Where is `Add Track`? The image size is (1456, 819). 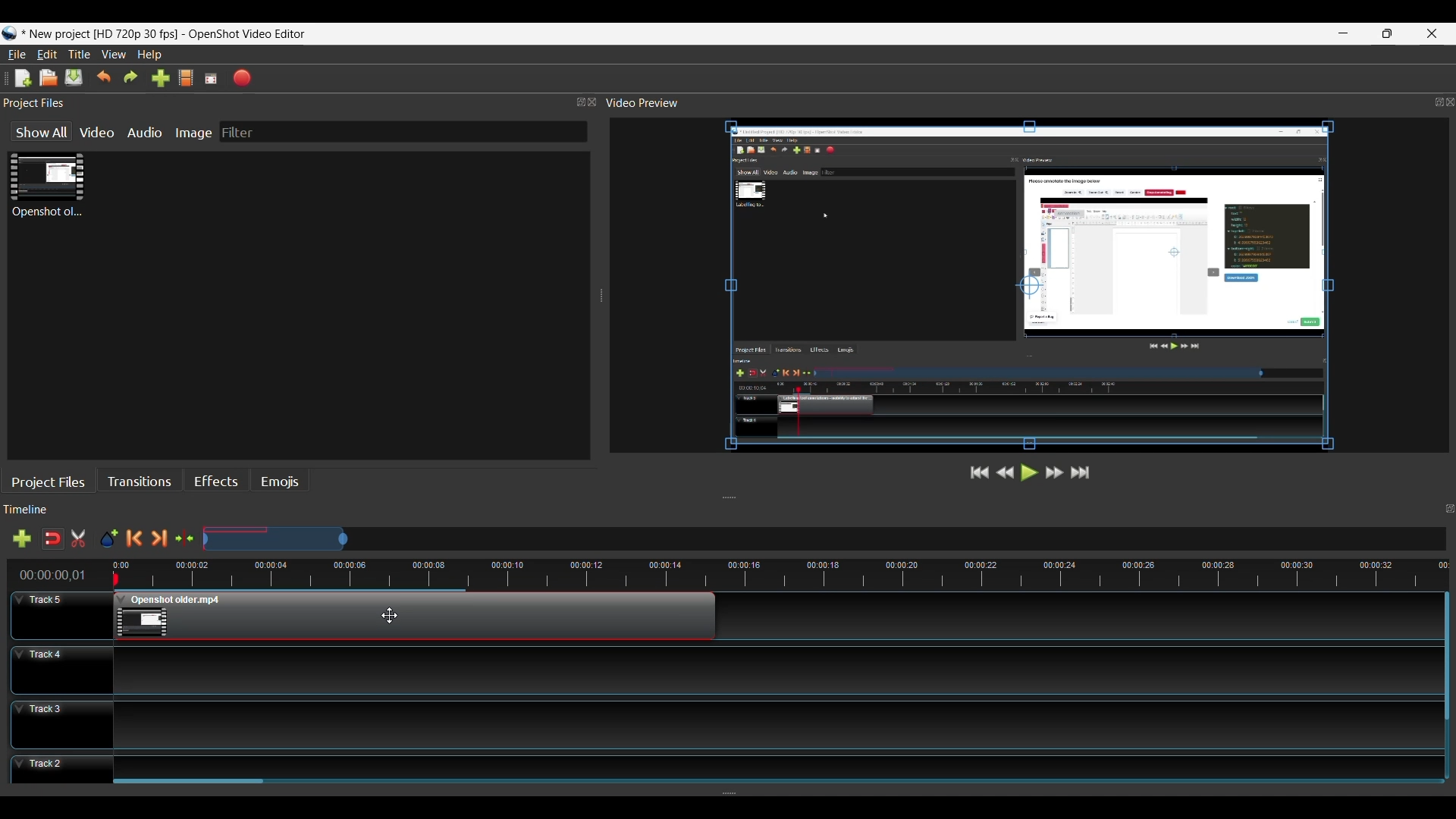
Add Track is located at coordinates (22, 538).